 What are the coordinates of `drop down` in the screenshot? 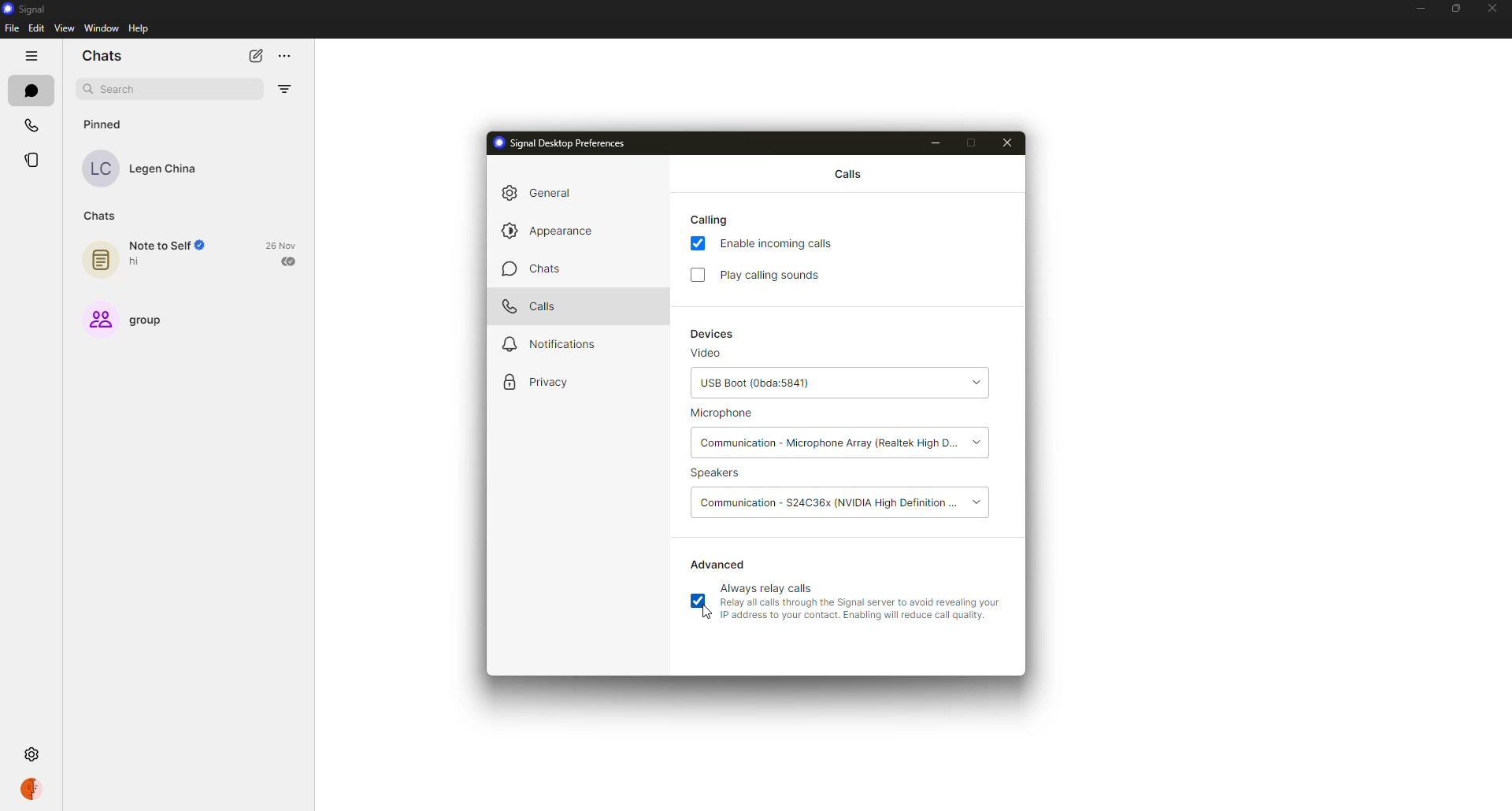 It's located at (976, 502).